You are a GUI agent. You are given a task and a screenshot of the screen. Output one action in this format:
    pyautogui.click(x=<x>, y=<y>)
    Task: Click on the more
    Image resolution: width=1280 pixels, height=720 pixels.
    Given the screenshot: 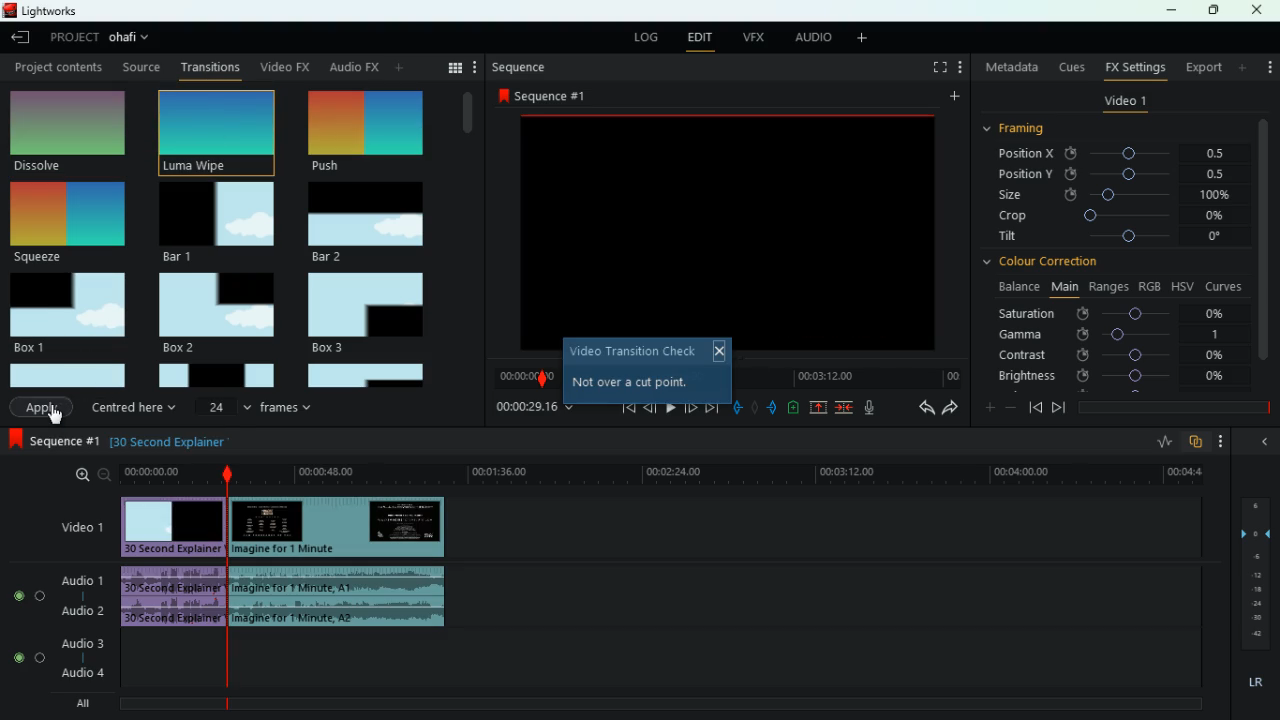 What is the action you would take?
    pyautogui.click(x=1244, y=67)
    